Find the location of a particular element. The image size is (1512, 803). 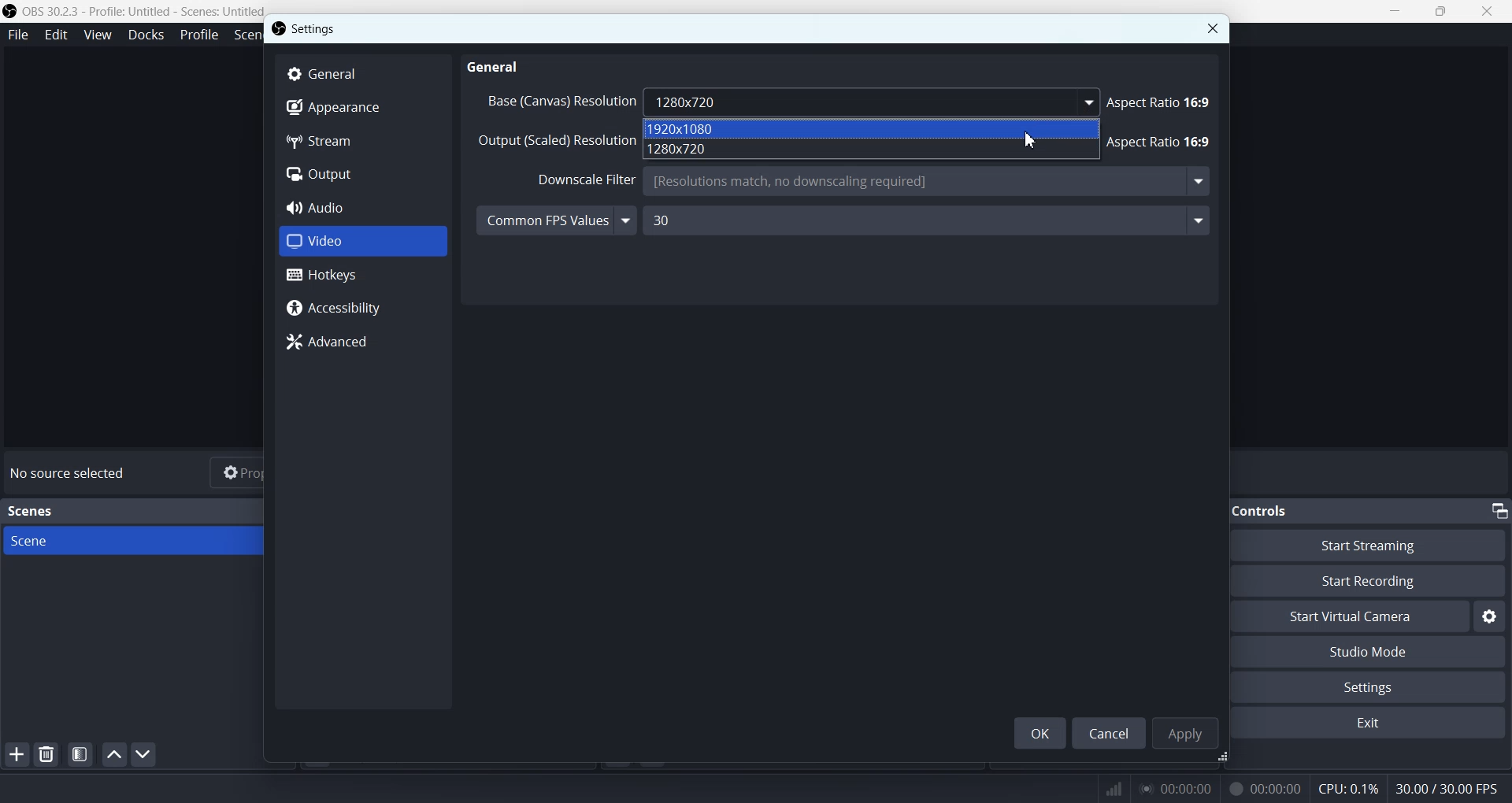

1280x720 is located at coordinates (872, 150).